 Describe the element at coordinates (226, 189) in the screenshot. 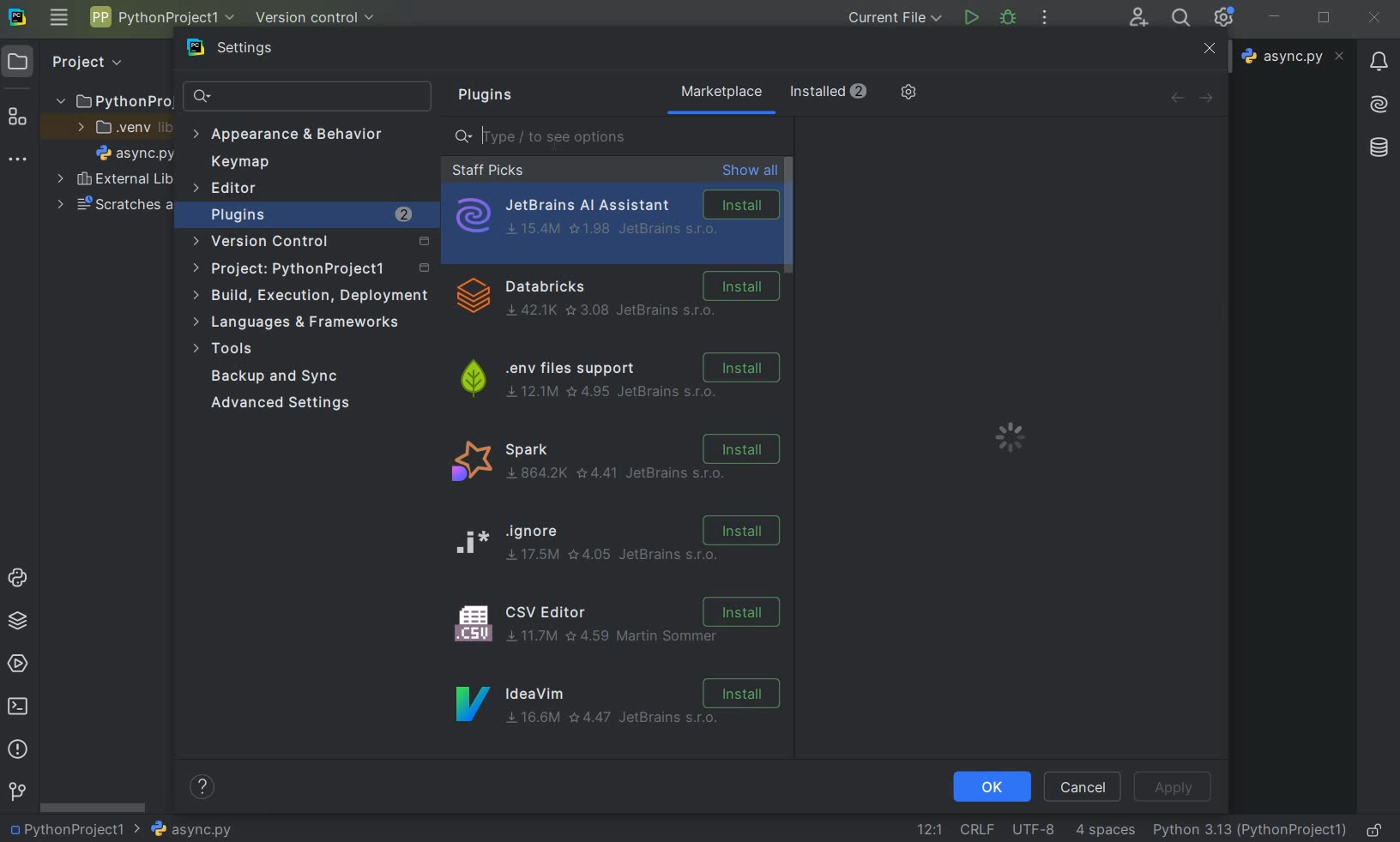

I see `Editor` at that location.